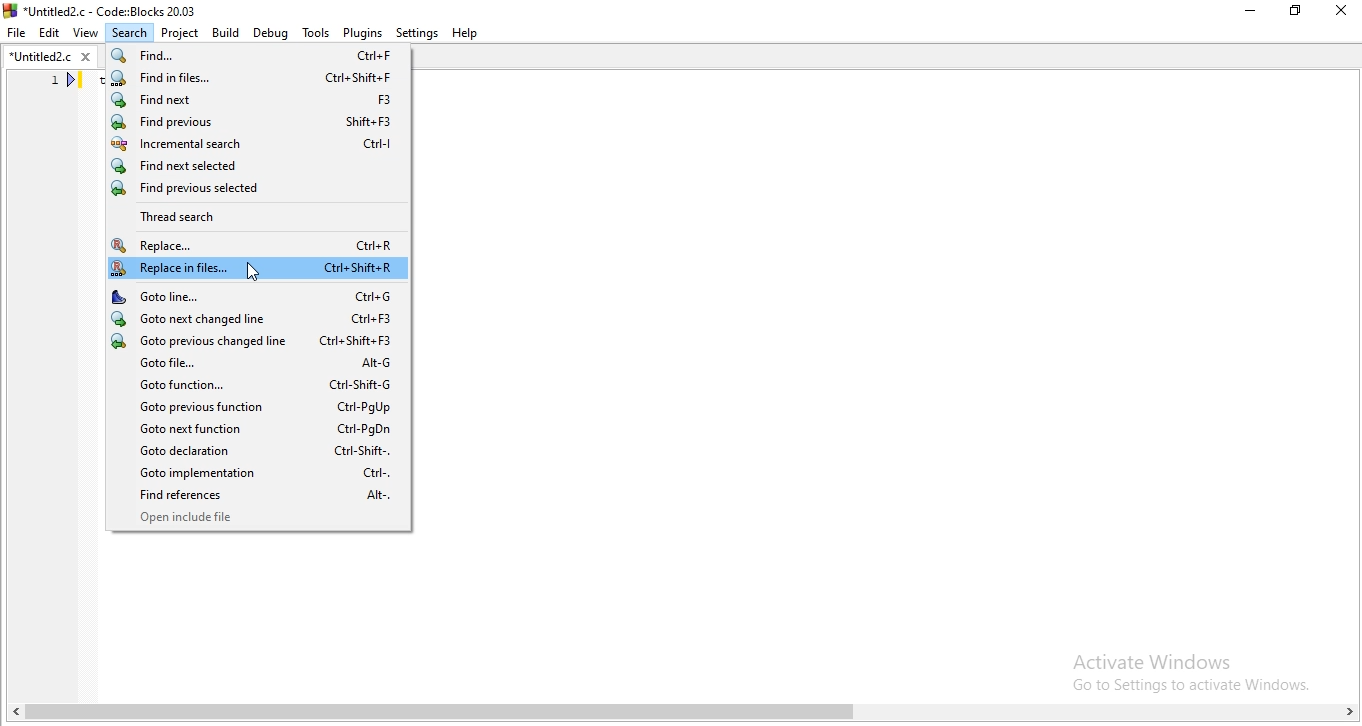 This screenshot has width=1362, height=726. I want to click on Project , so click(181, 32).